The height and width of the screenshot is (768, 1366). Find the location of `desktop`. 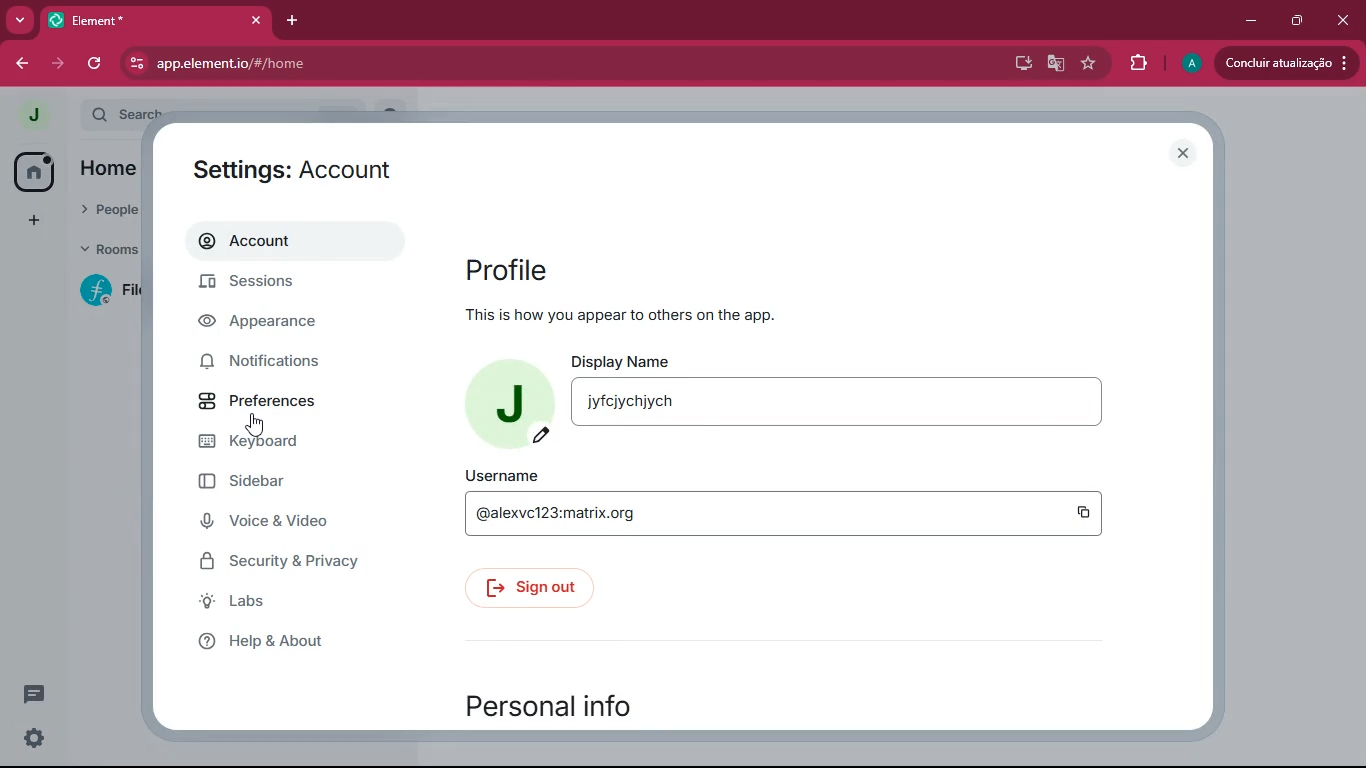

desktop is located at coordinates (1015, 63).